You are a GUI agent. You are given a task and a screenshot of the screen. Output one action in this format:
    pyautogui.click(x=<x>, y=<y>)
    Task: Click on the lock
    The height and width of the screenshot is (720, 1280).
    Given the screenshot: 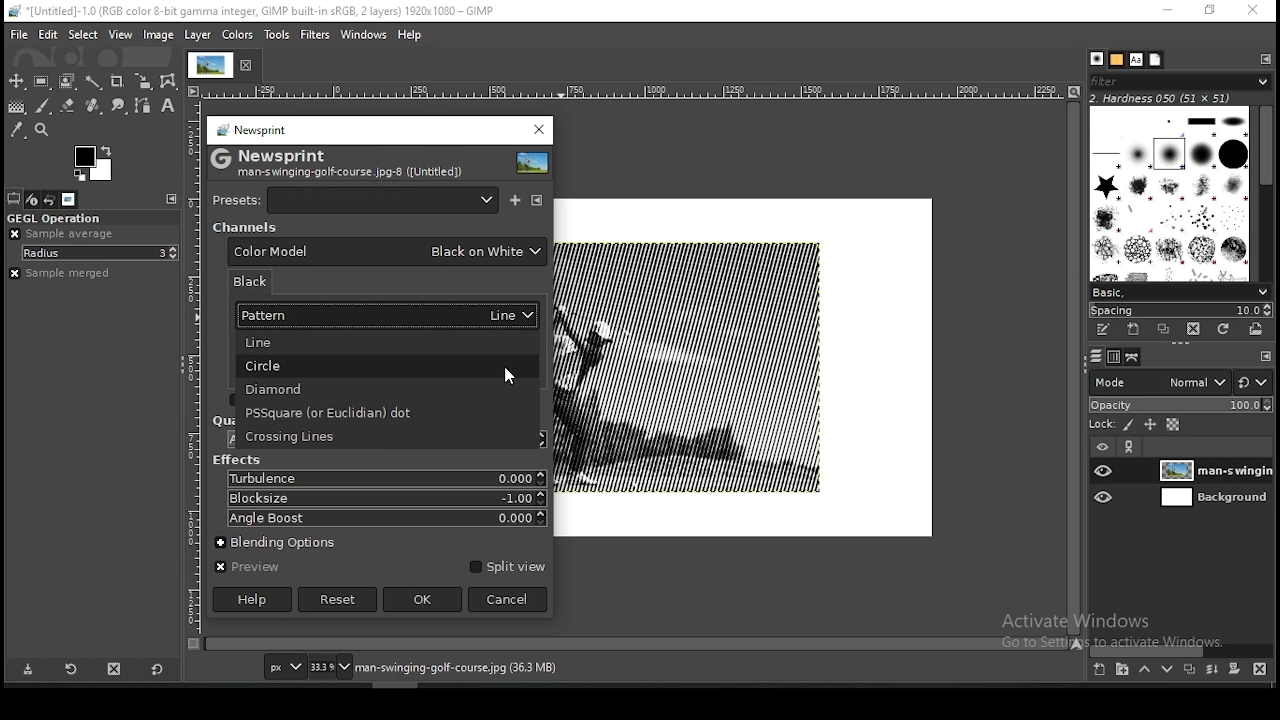 What is the action you would take?
    pyautogui.click(x=1103, y=424)
    